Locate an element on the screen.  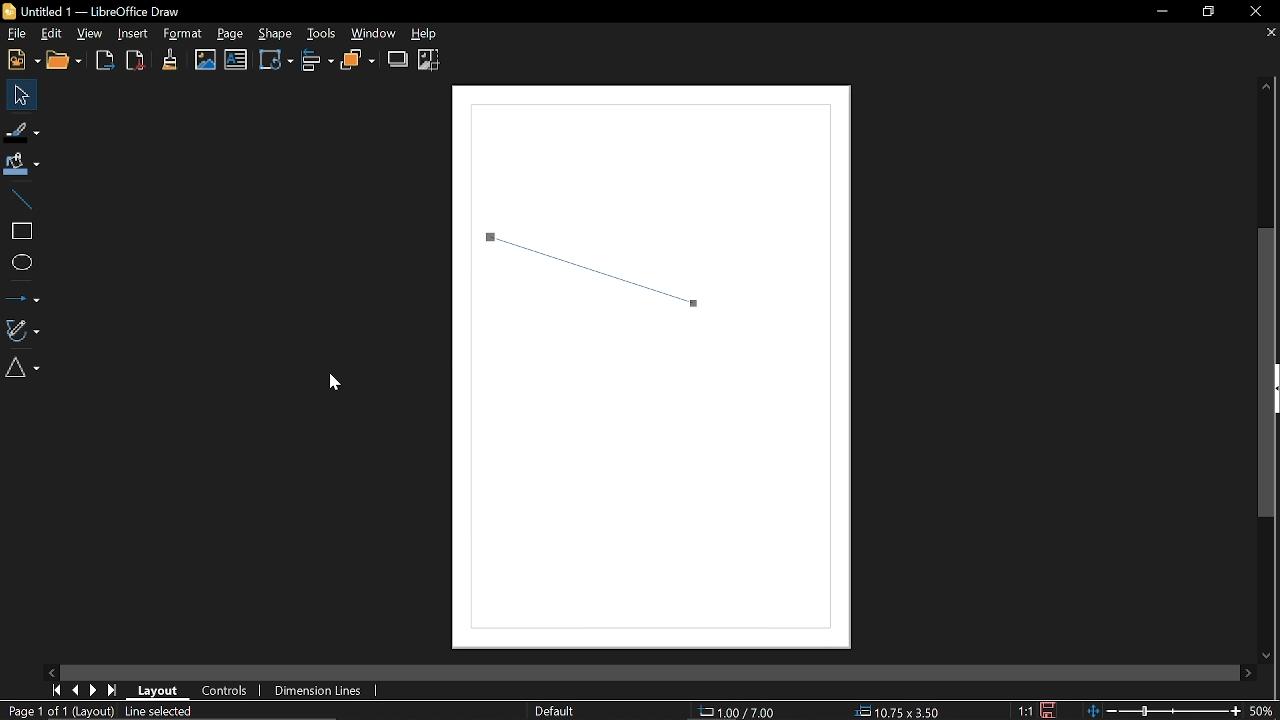
Minimize is located at coordinates (1161, 12).